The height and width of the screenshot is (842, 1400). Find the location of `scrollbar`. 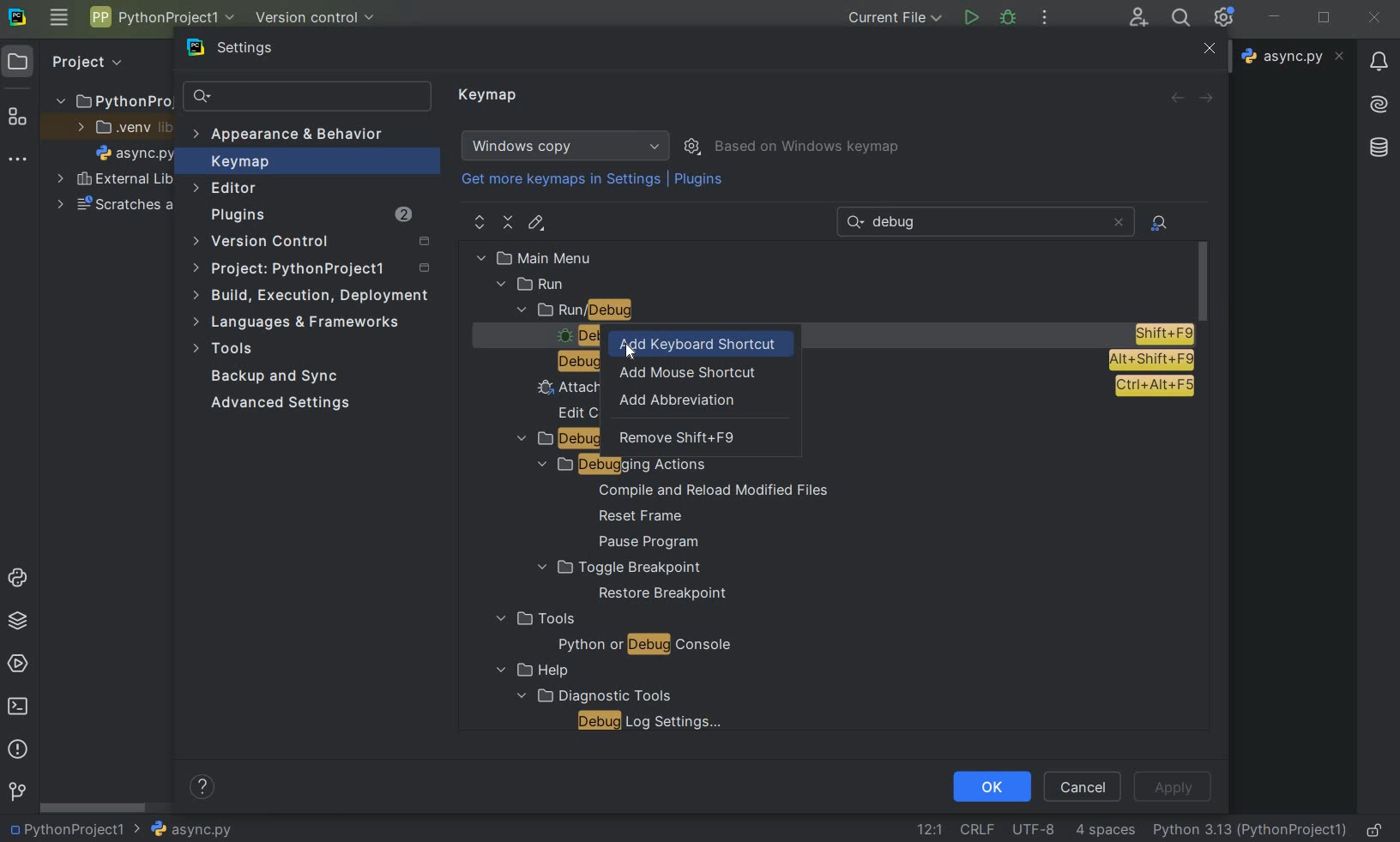

scrollbar is located at coordinates (94, 808).